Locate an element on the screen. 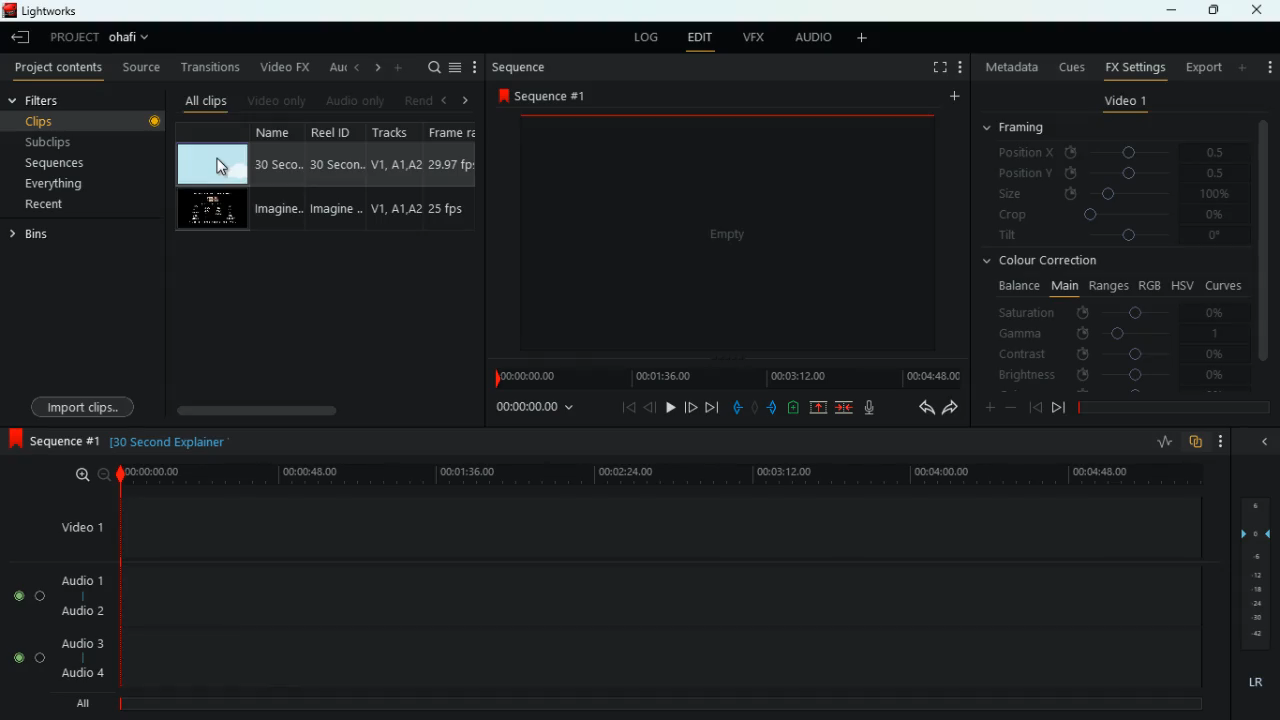  transitions is located at coordinates (208, 66).